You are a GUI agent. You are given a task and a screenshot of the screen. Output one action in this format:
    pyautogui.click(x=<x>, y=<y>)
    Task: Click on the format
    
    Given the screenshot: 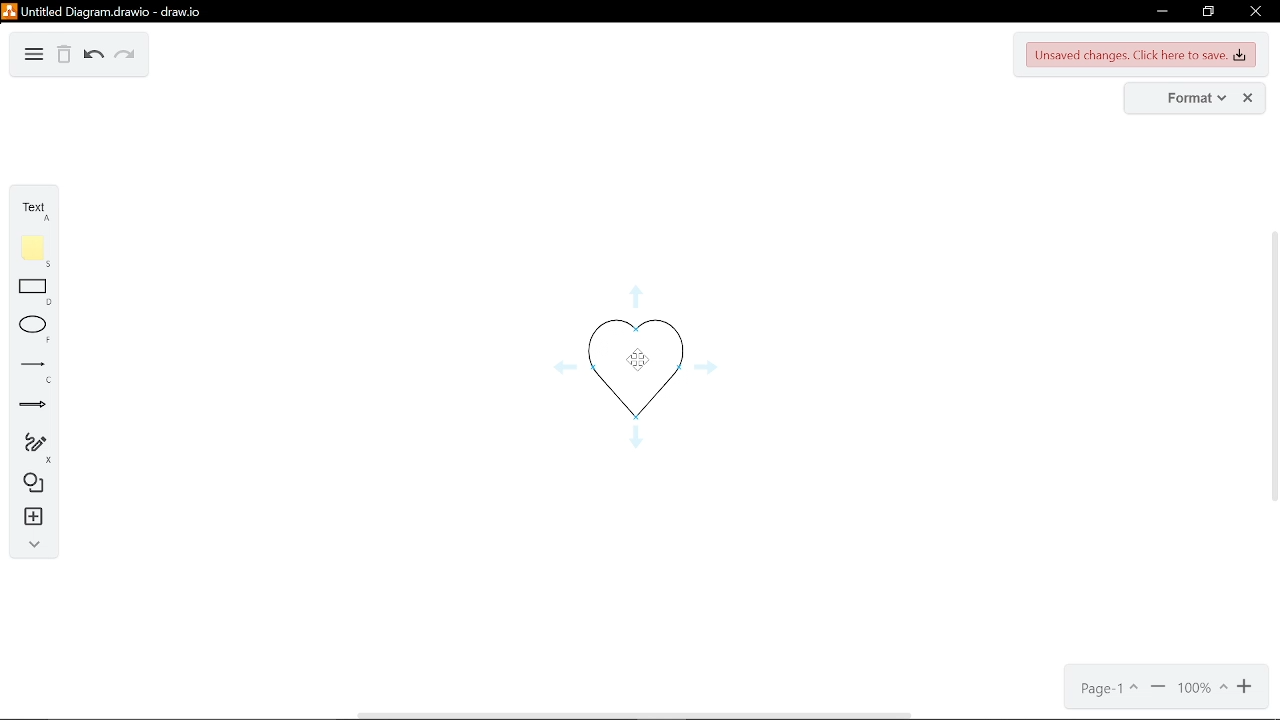 What is the action you would take?
    pyautogui.click(x=1186, y=100)
    